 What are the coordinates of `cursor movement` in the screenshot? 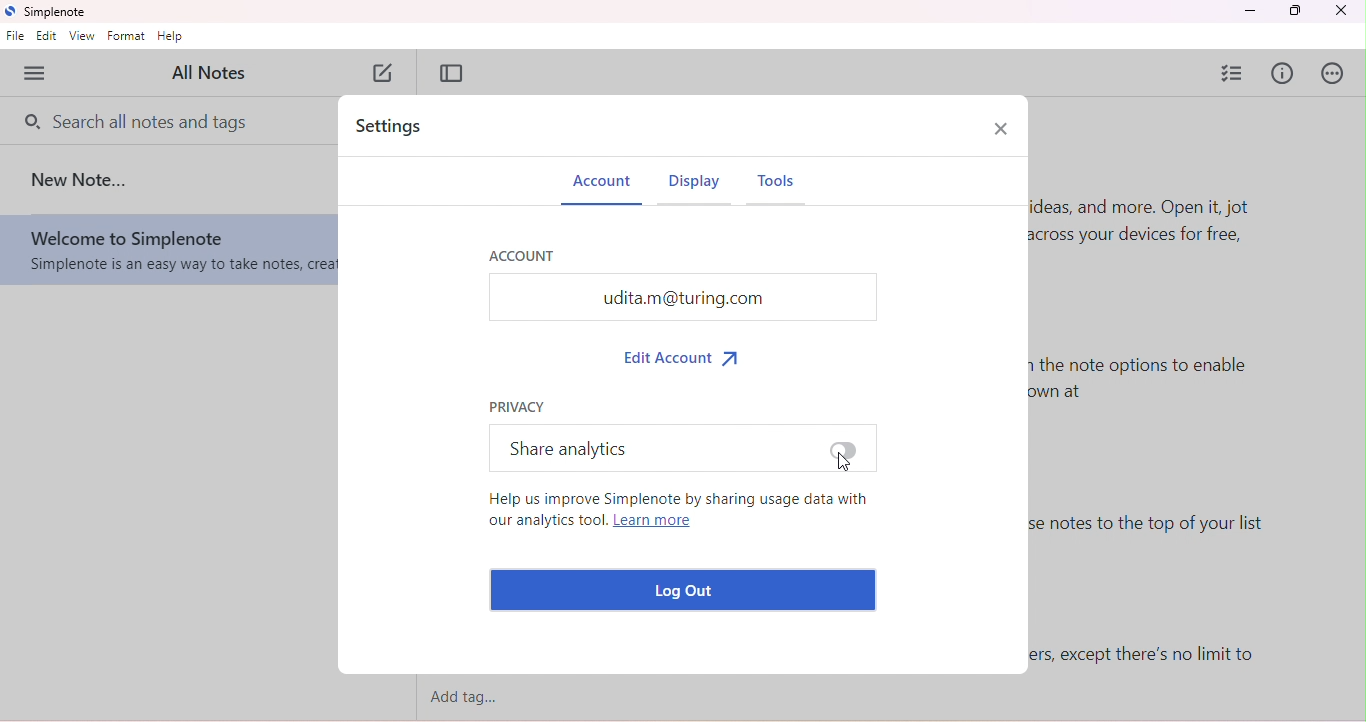 It's located at (848, 463).